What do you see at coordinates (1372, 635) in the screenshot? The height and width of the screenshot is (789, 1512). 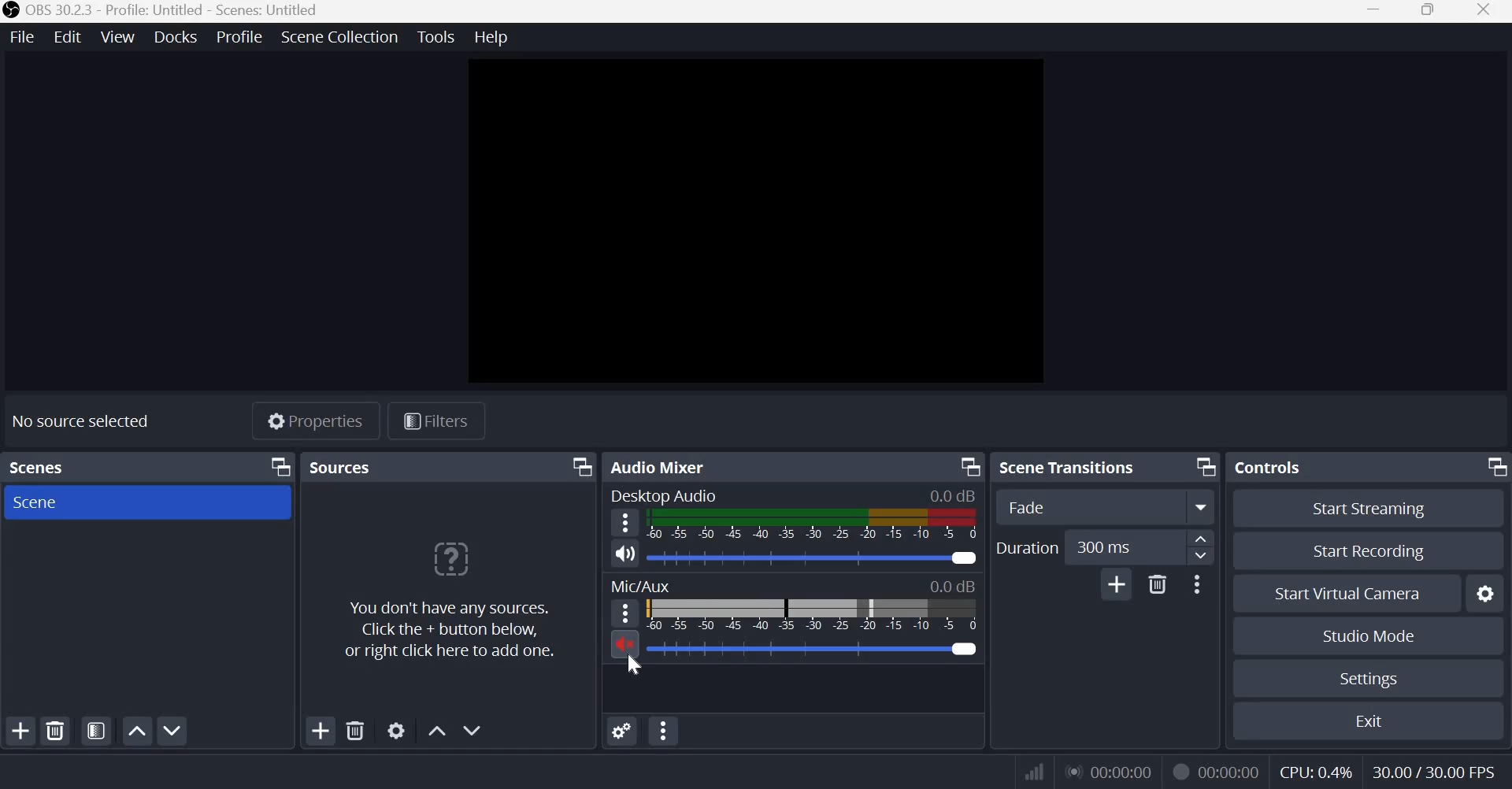 I see `Studio mode` at bounding box center [1372, 635].